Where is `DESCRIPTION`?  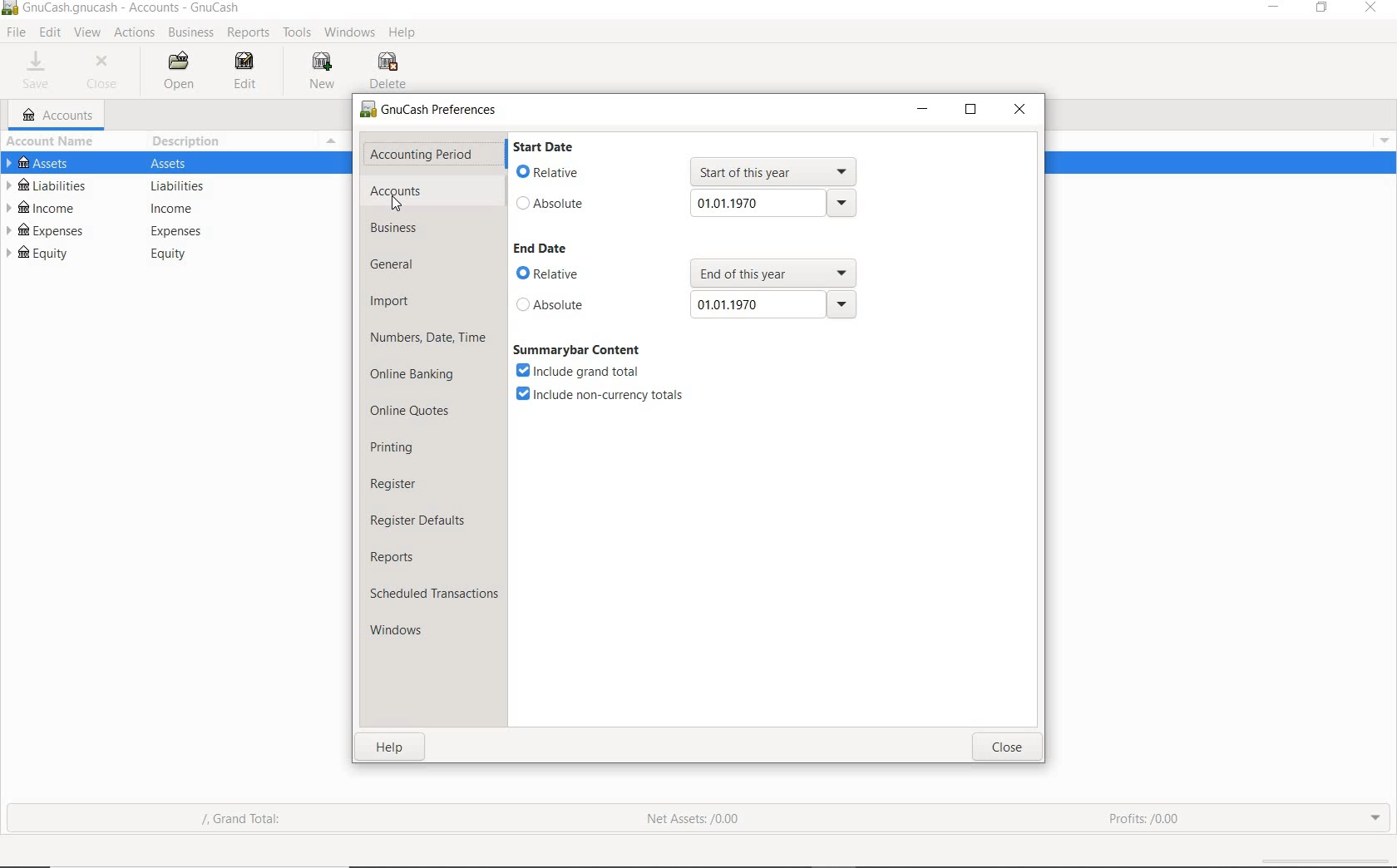
DESCRIPTION is located at coordinates (195, 143).